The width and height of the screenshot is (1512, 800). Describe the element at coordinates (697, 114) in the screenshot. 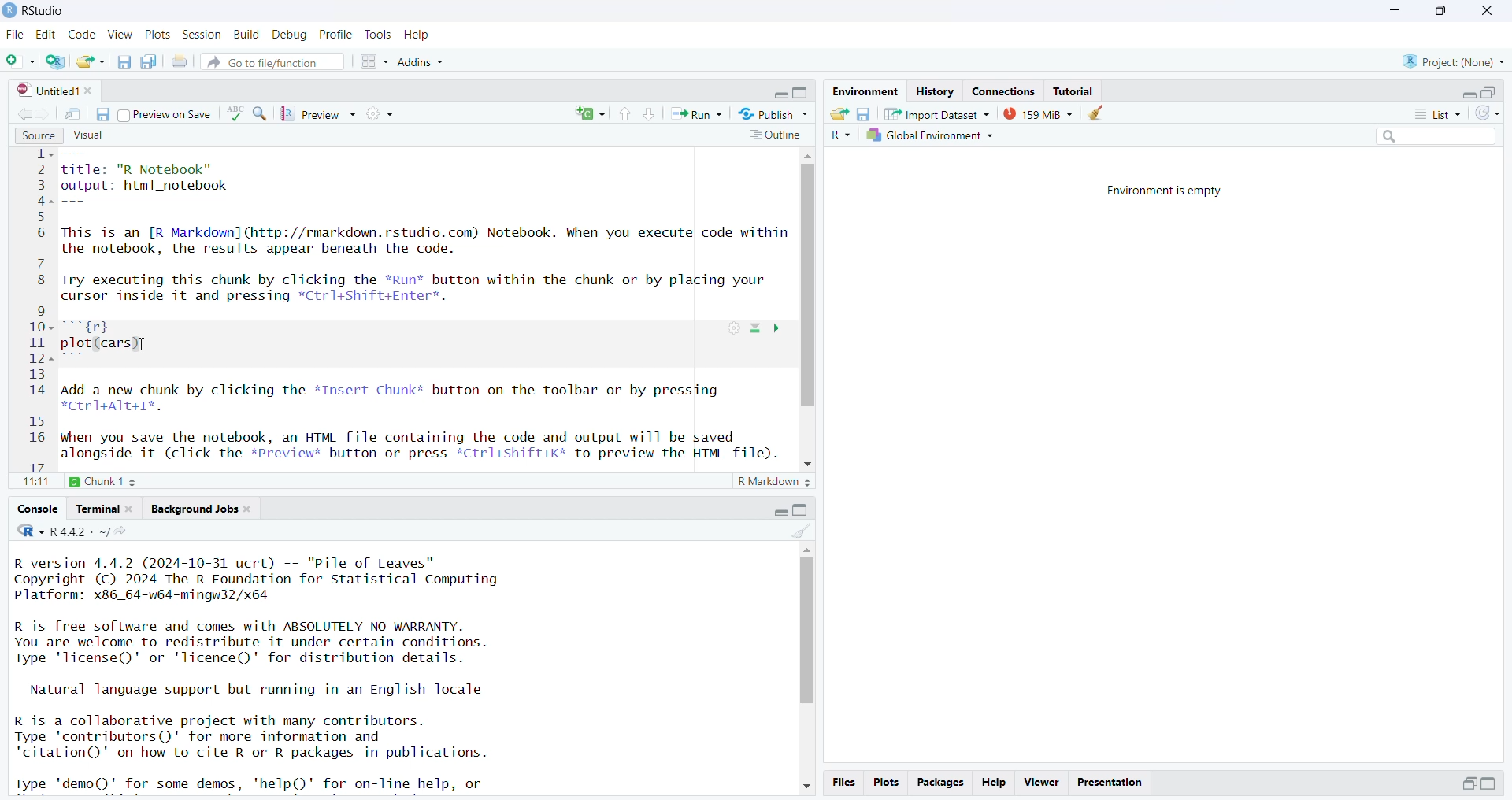

I see `run` at that location.